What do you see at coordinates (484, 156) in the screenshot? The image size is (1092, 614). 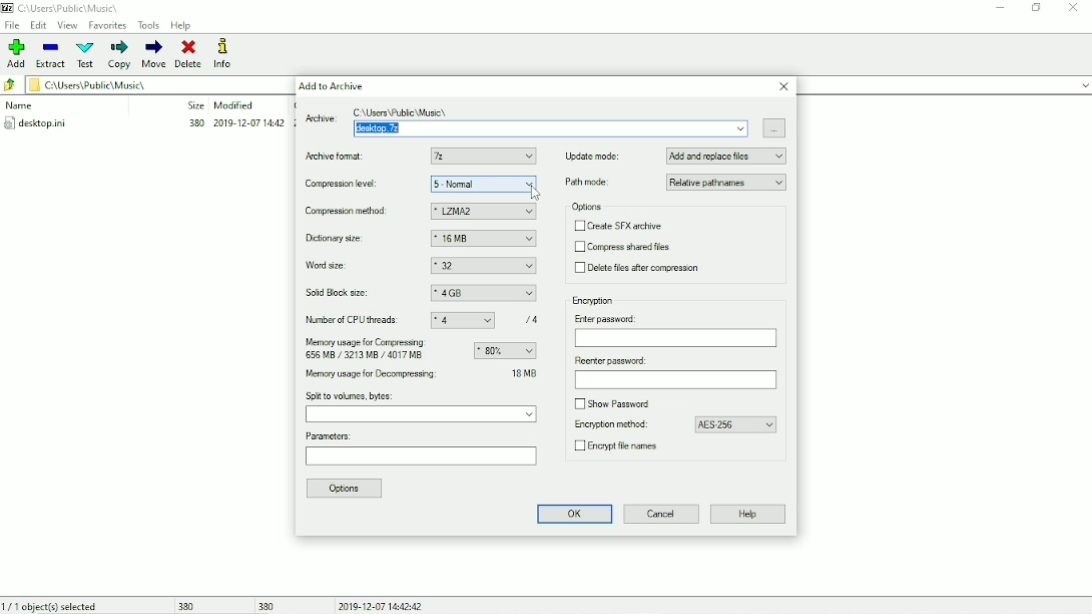 I see `7z` at bounding box center [484, 156].